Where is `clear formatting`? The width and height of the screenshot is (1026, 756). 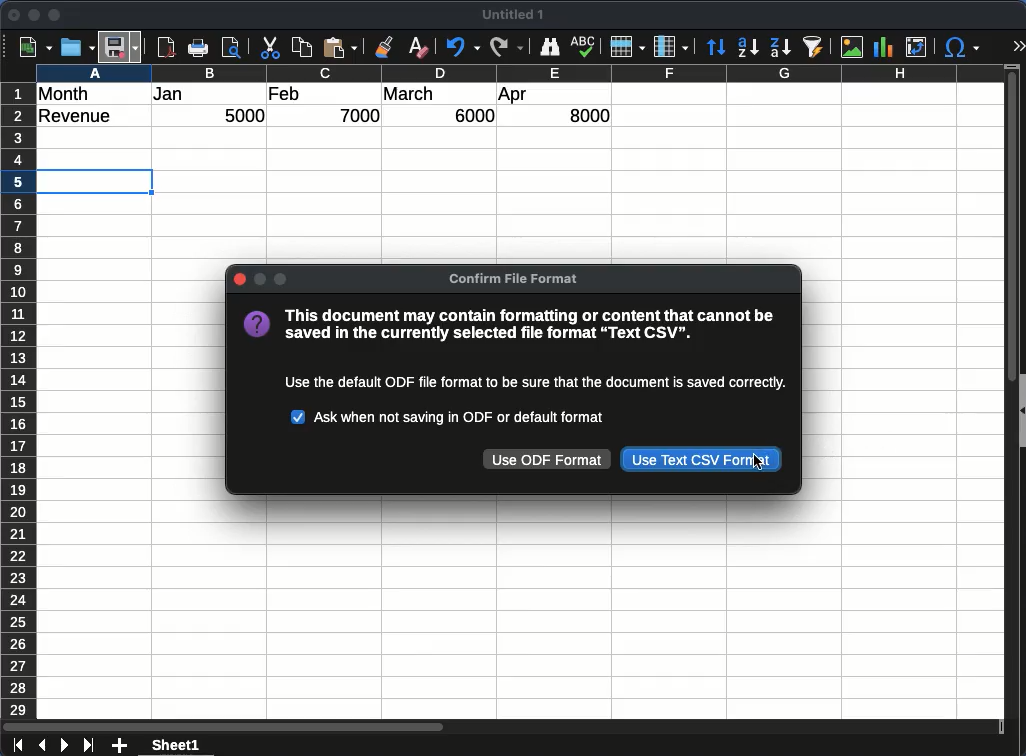 clear formatting is located at coordinates (418, 47).